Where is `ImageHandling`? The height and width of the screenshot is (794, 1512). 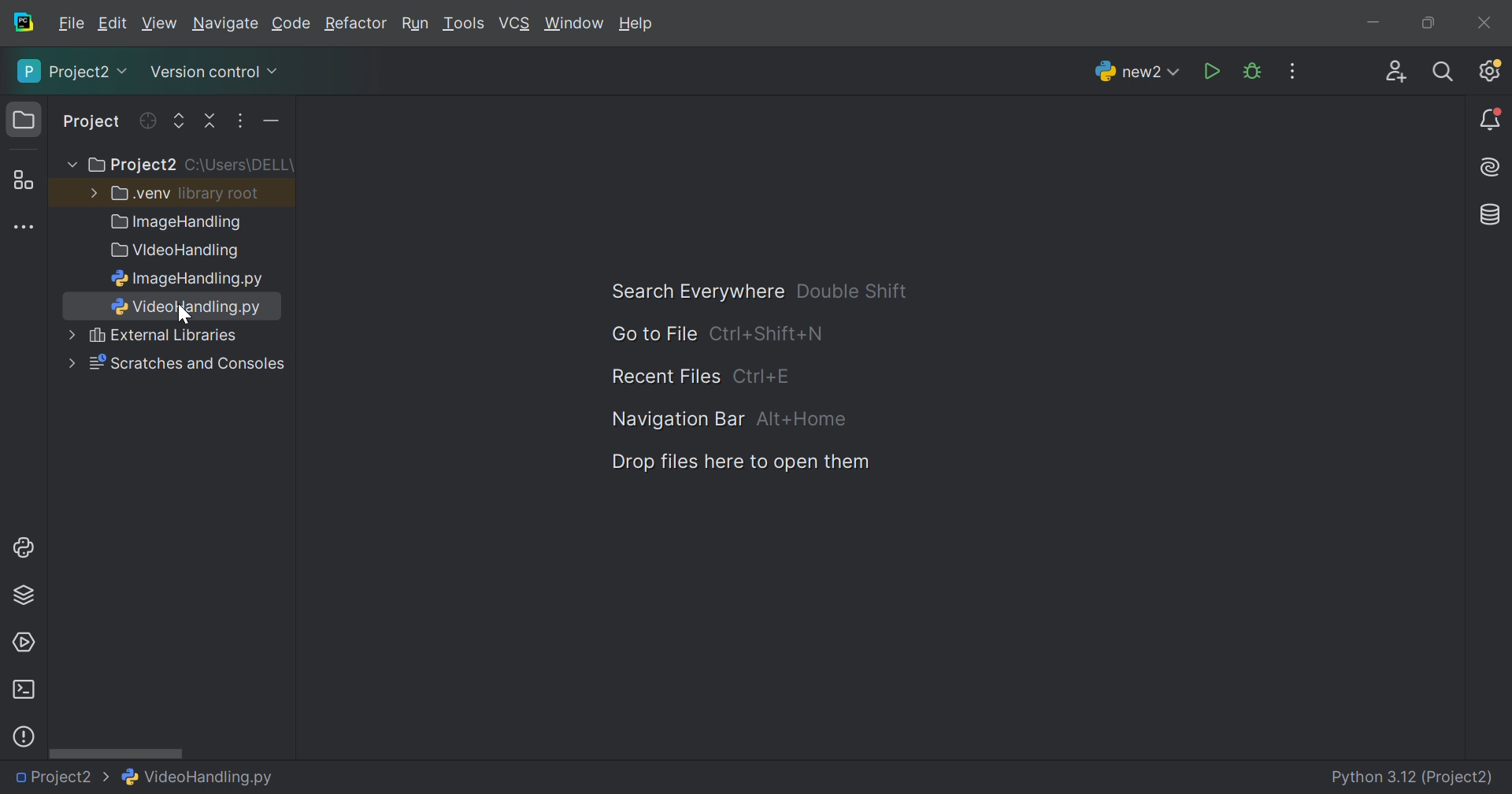 ImageHandling is located at coordinates (188, 279).